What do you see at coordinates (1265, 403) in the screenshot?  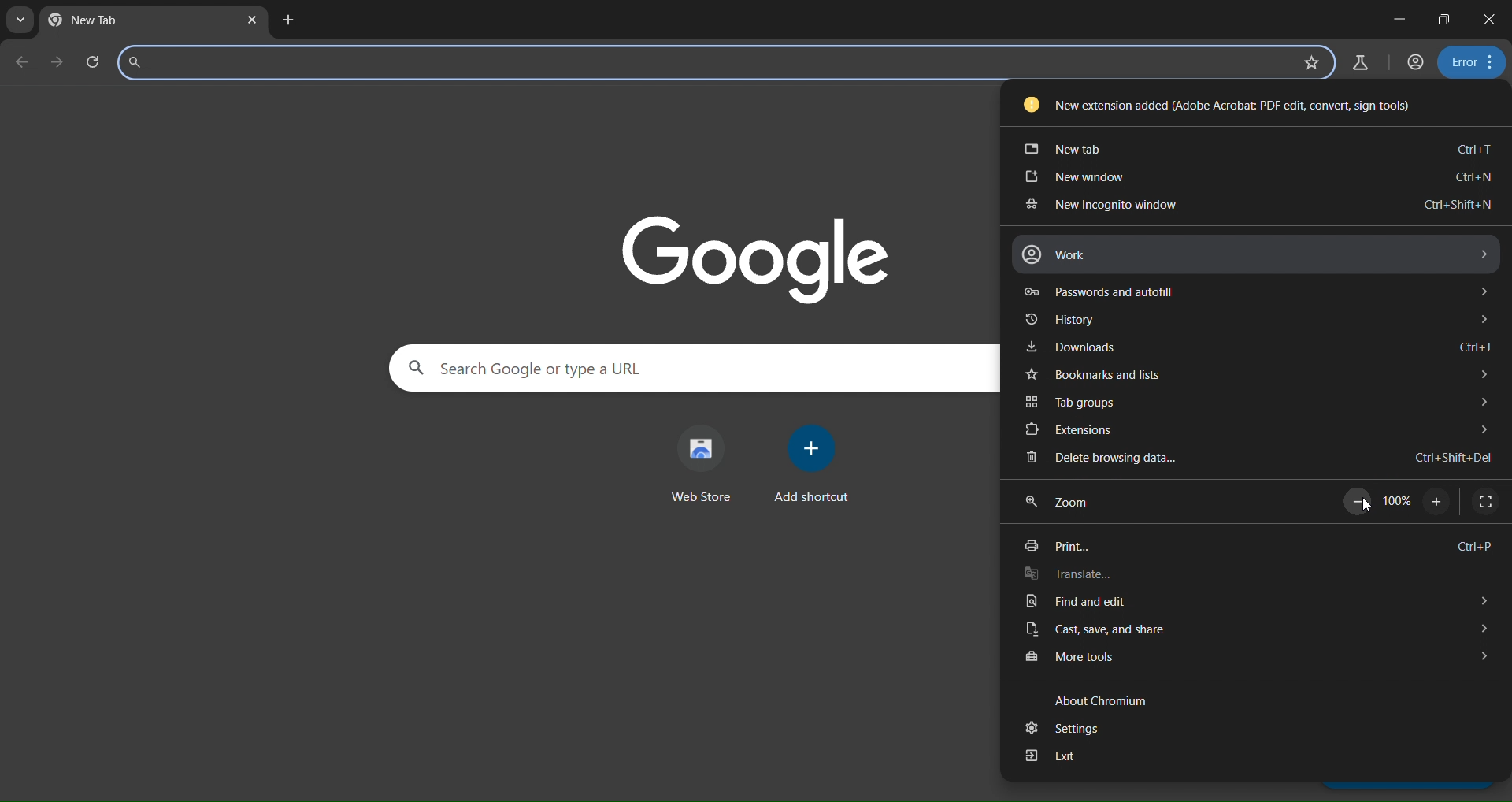 I see `tab groups` at bounding box center [1265, 403].